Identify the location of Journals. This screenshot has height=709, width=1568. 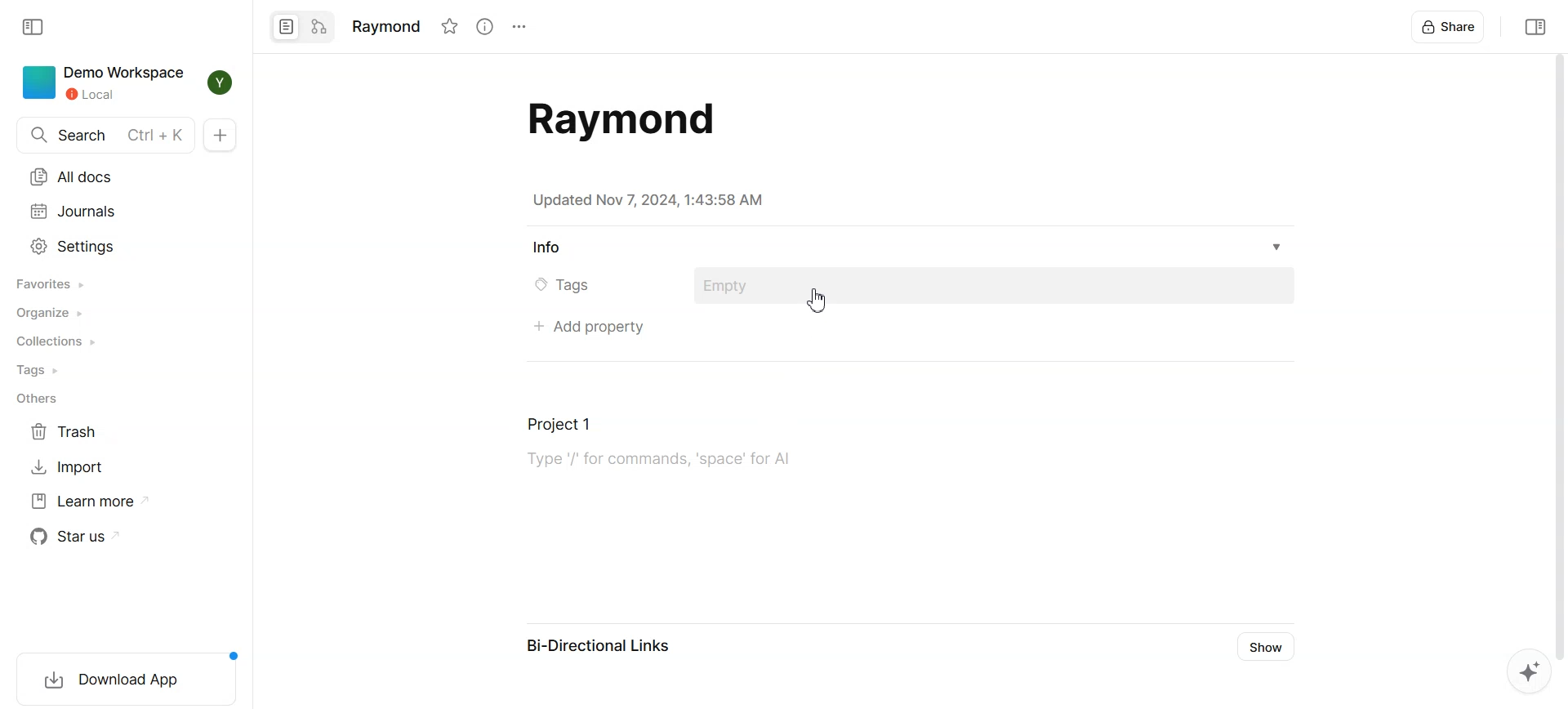
(73, 212).